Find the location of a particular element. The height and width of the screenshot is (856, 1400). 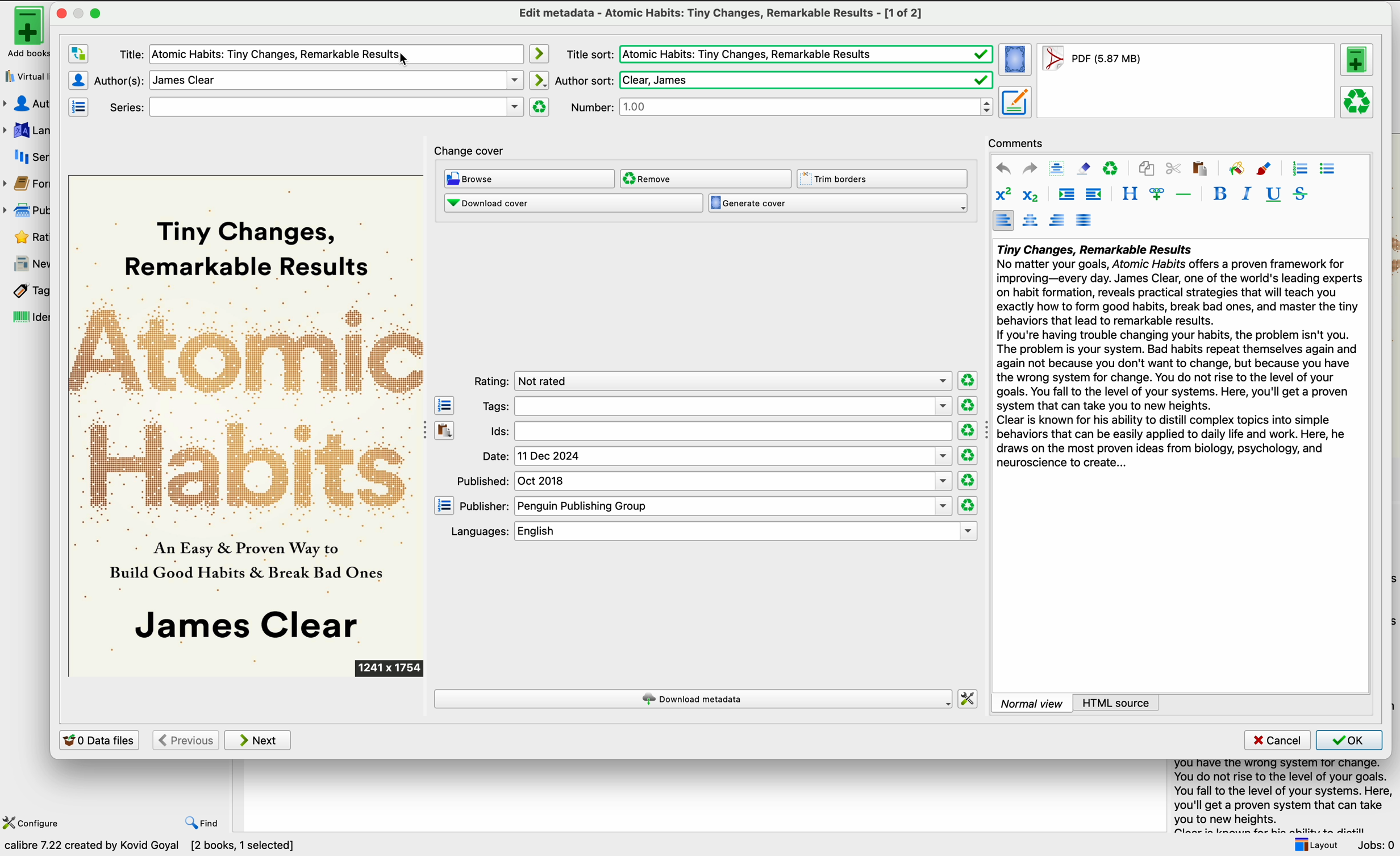

formats is located at coordinates (28, 186).